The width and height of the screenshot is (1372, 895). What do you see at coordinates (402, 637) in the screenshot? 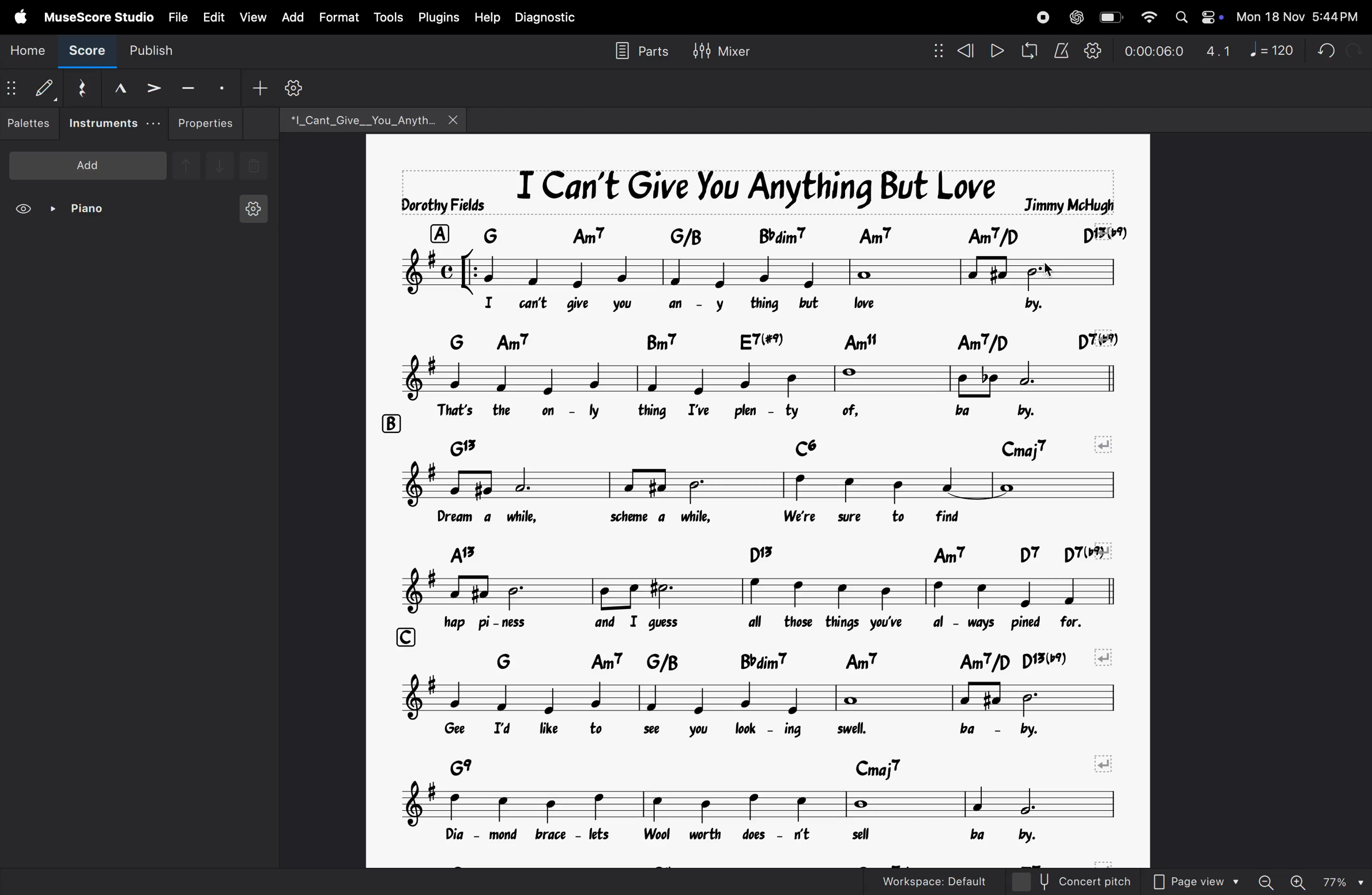
I see `row` at bounding box center [402, 637].